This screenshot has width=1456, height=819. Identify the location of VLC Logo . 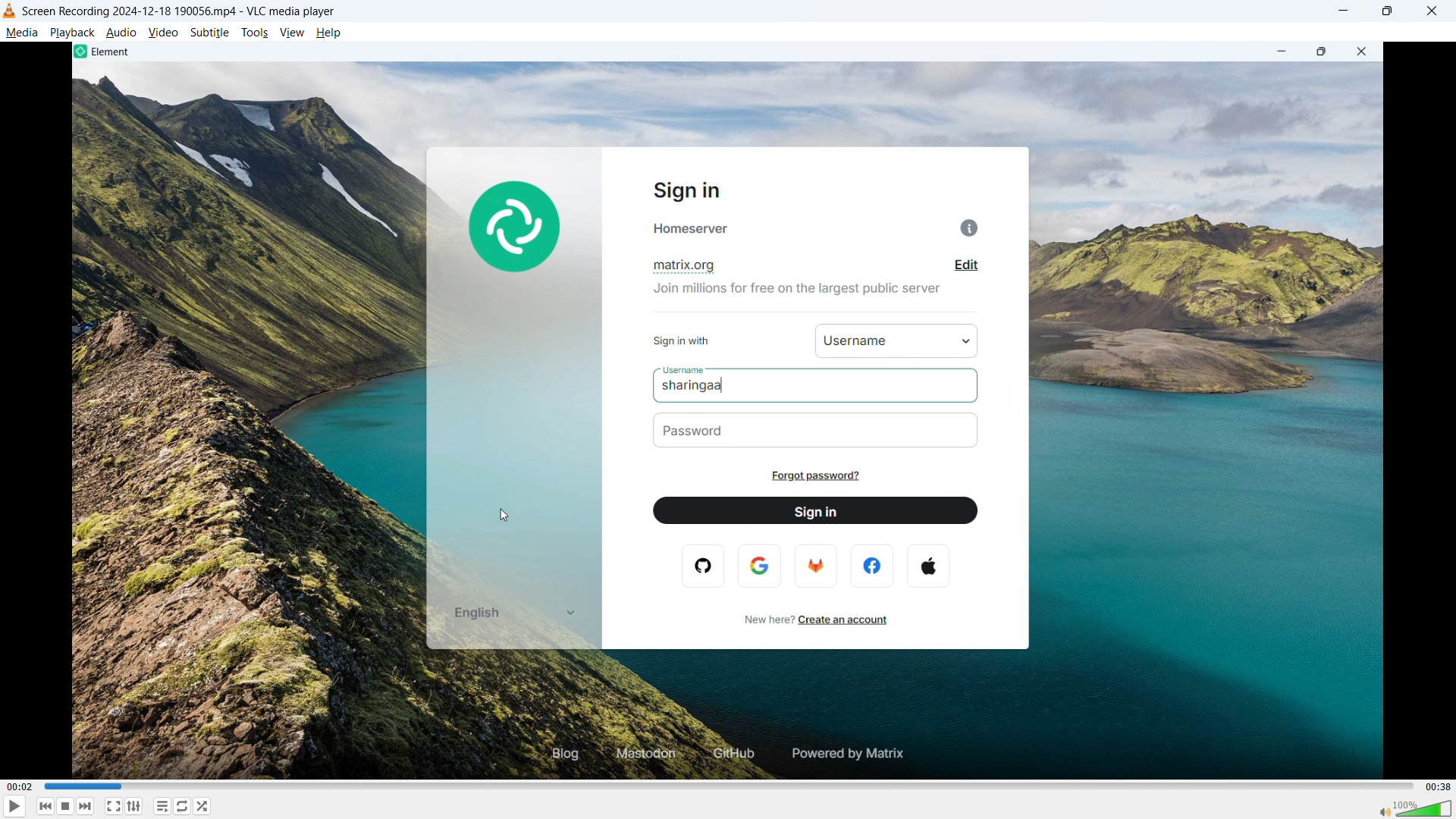
(9, 11).